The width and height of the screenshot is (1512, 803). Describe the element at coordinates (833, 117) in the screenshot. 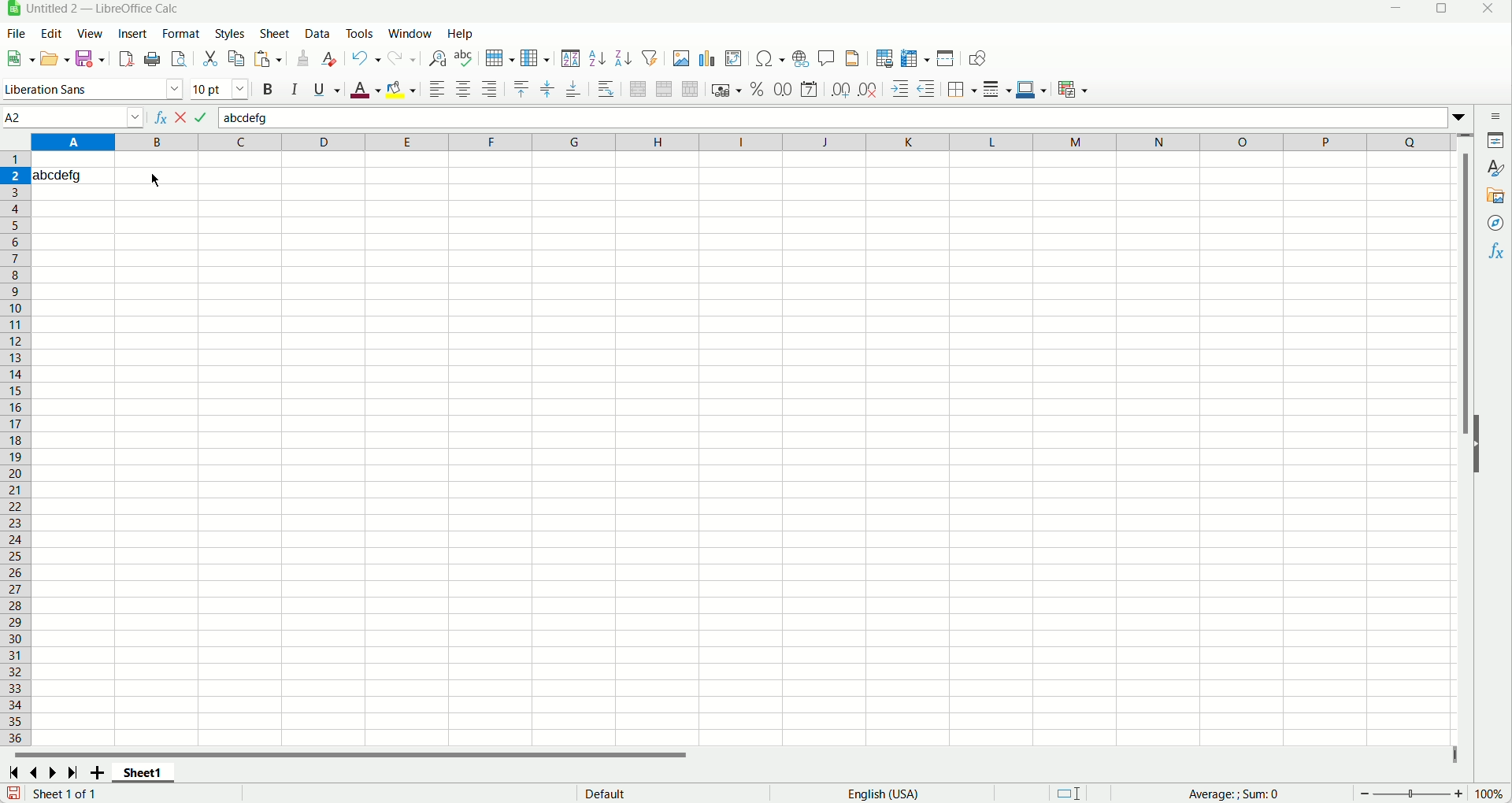

I see `formula bar` at that location.